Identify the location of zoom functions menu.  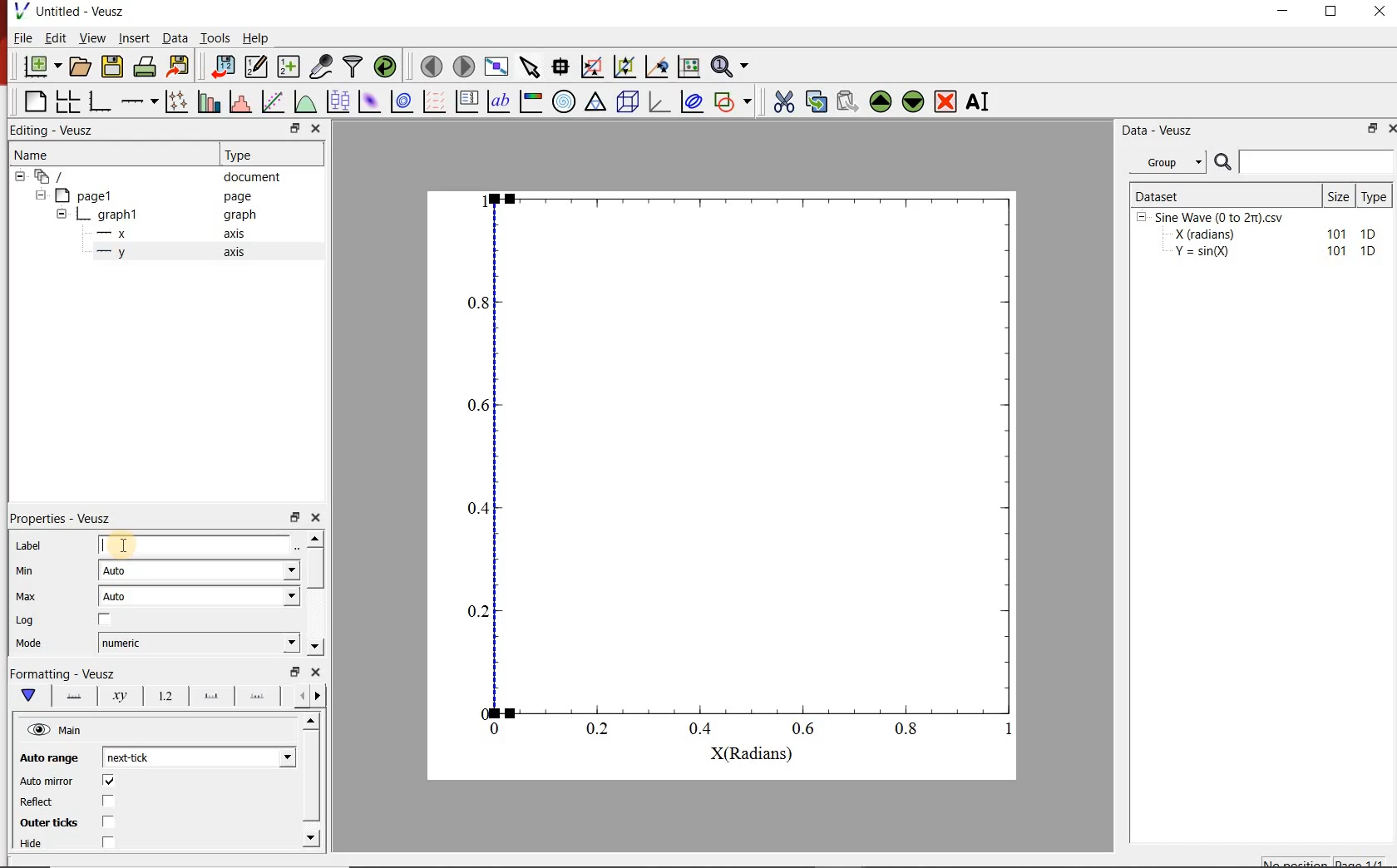
(732, 64).